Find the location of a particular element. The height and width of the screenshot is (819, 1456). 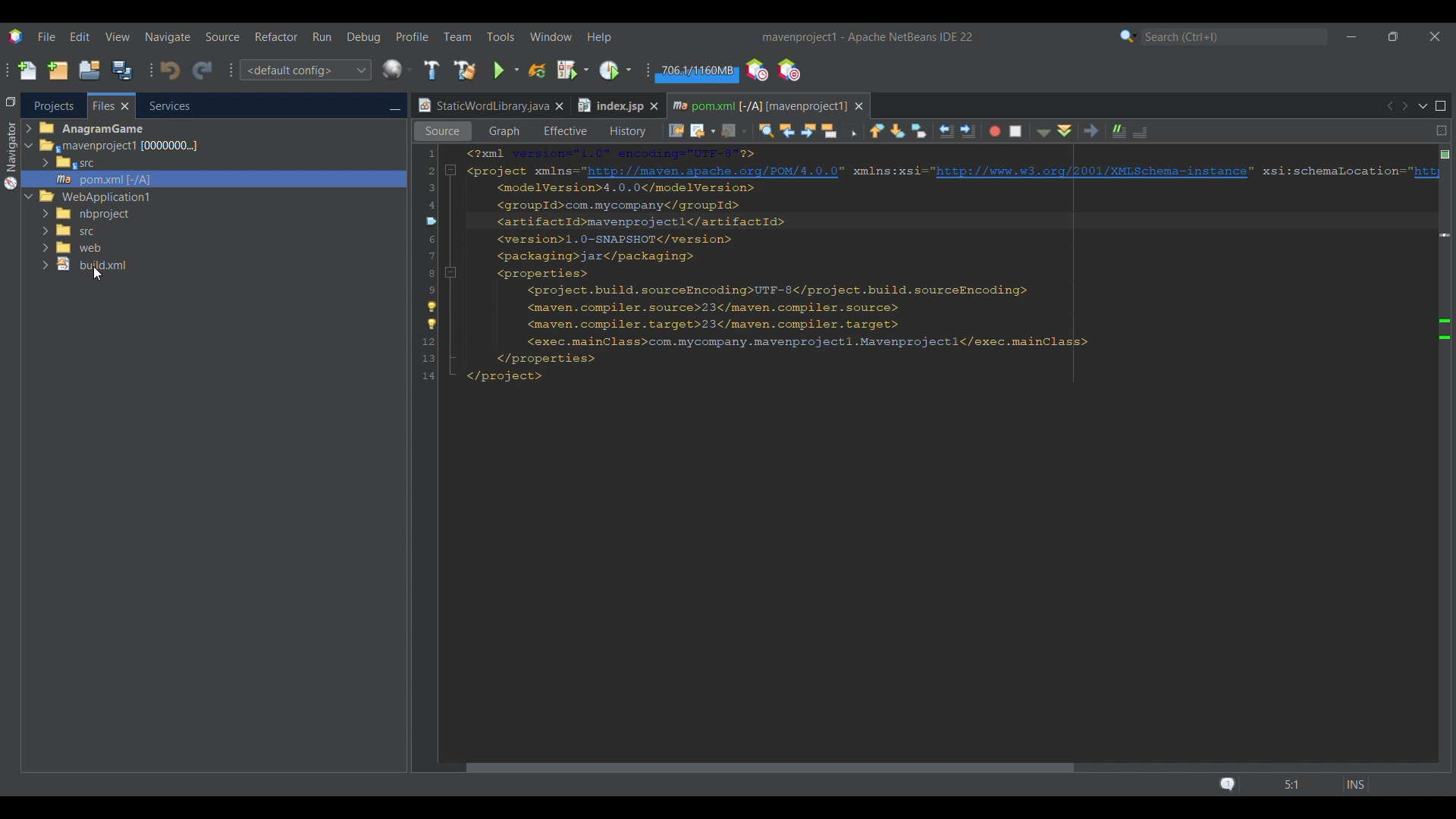

Comment is located at coordinates (1116, 129).